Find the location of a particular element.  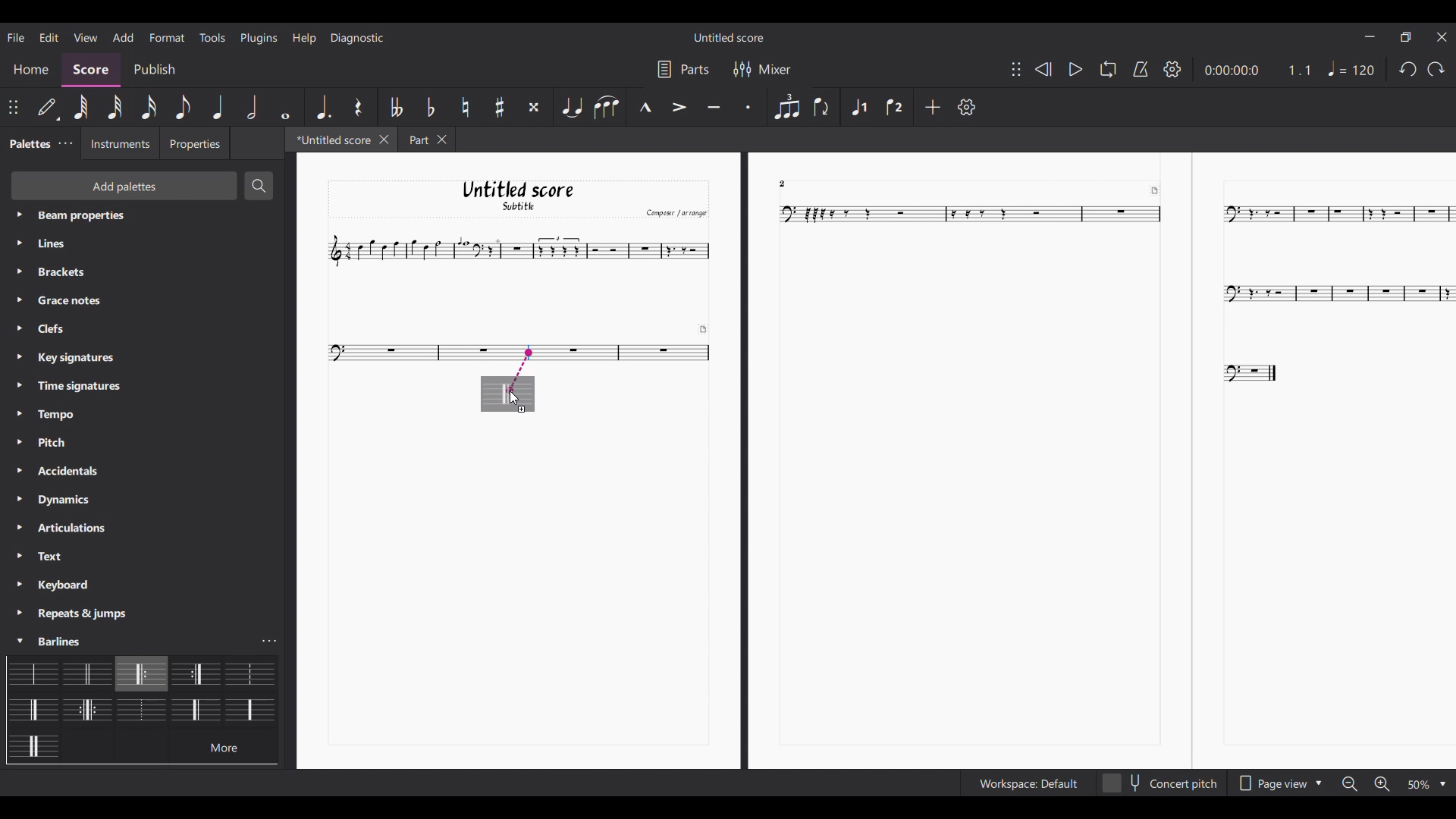

Slur is located at coordinates (607, 106).